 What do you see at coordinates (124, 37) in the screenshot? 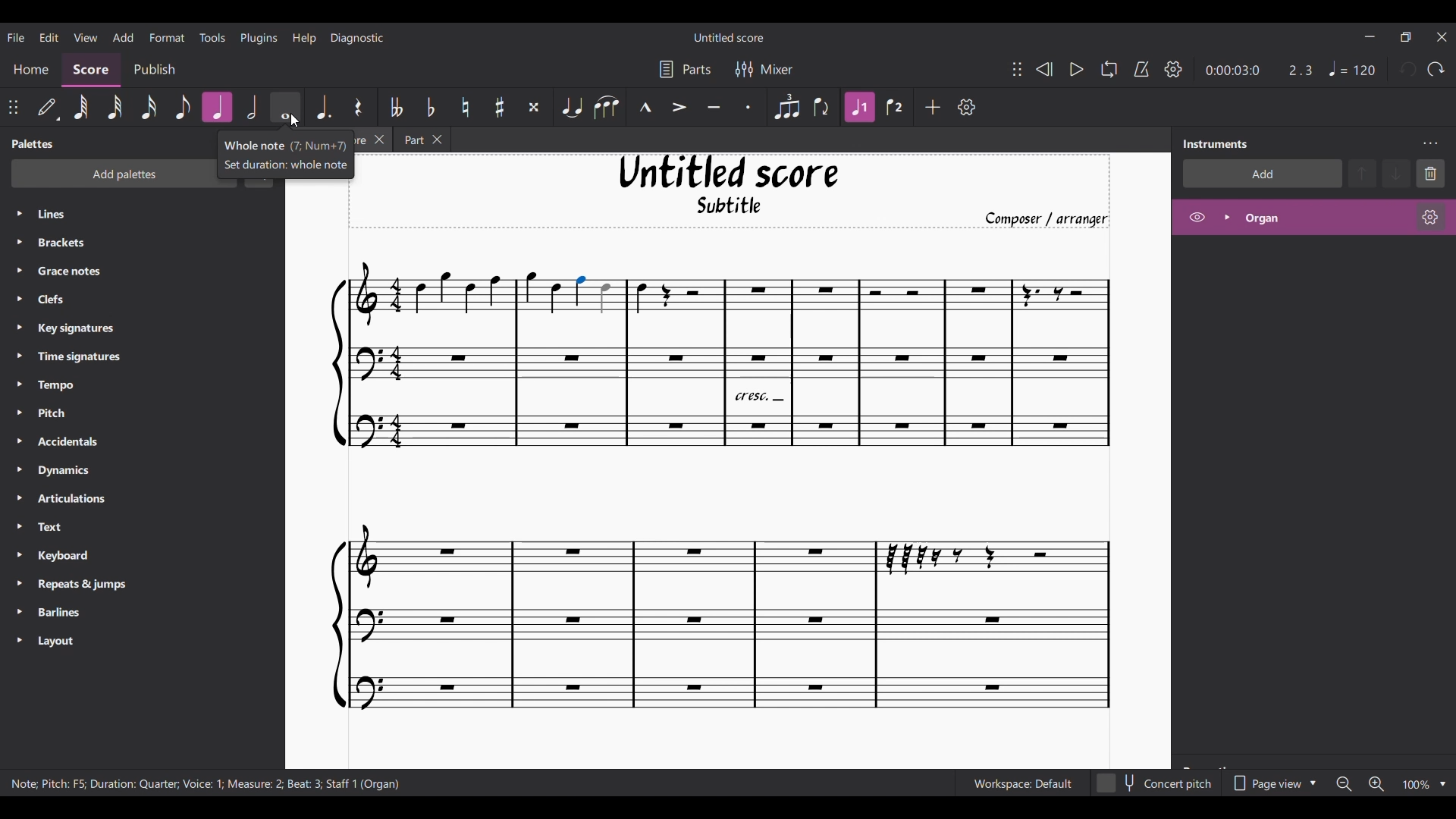
I see `Add menu` at bounding box center [124, 37].